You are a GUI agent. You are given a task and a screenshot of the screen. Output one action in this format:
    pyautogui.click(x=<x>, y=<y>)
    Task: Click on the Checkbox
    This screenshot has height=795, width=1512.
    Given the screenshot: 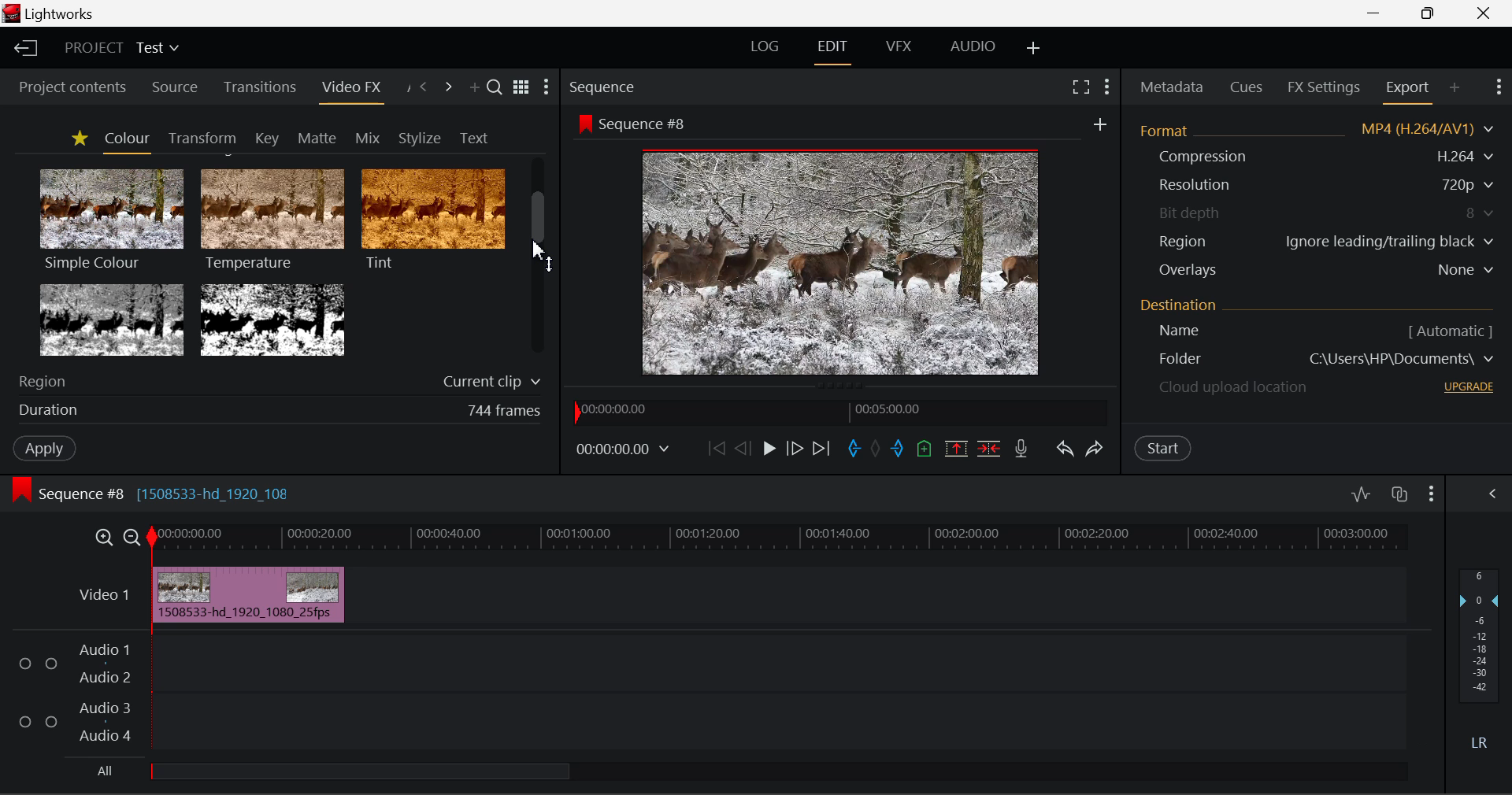 What is the action you would take?
    pyautogui.click(x=26, y=662)
    